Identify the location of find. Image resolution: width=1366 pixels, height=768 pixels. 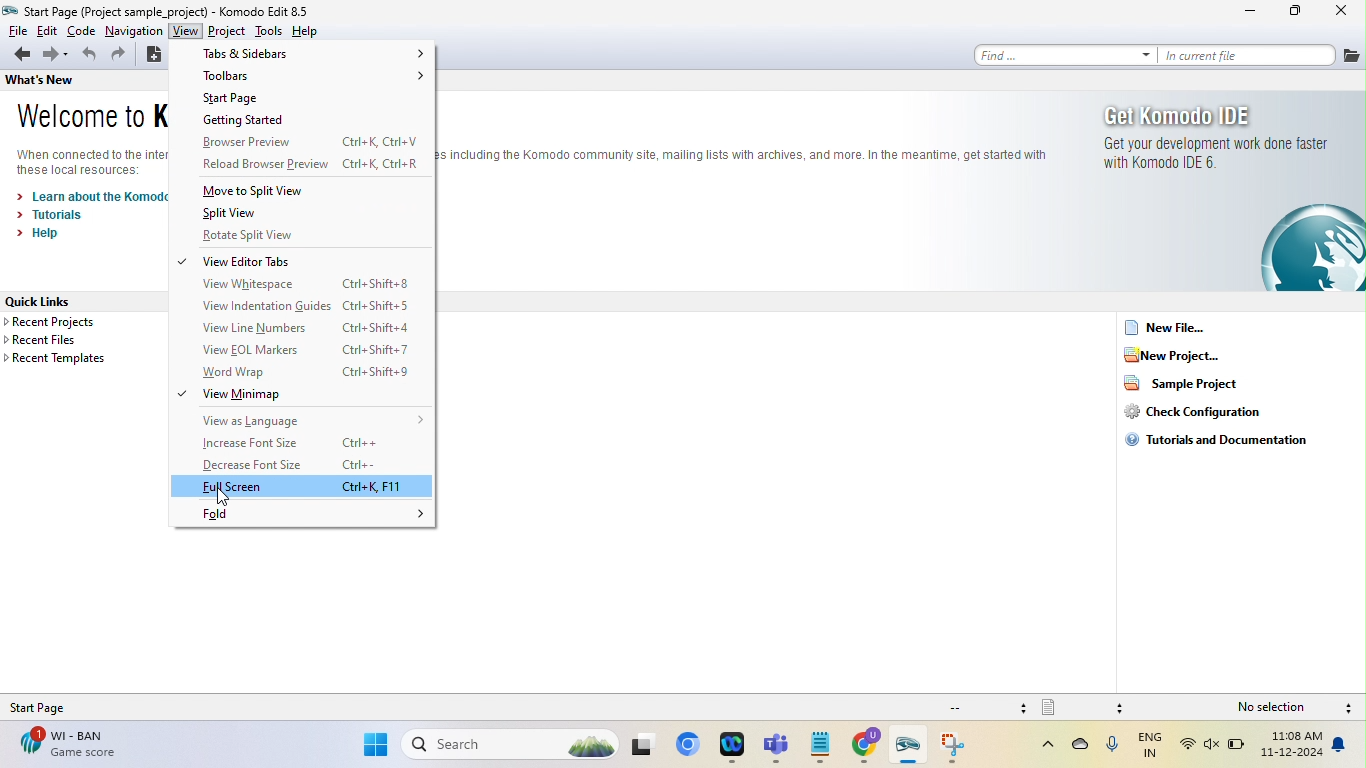
(1060, 54).